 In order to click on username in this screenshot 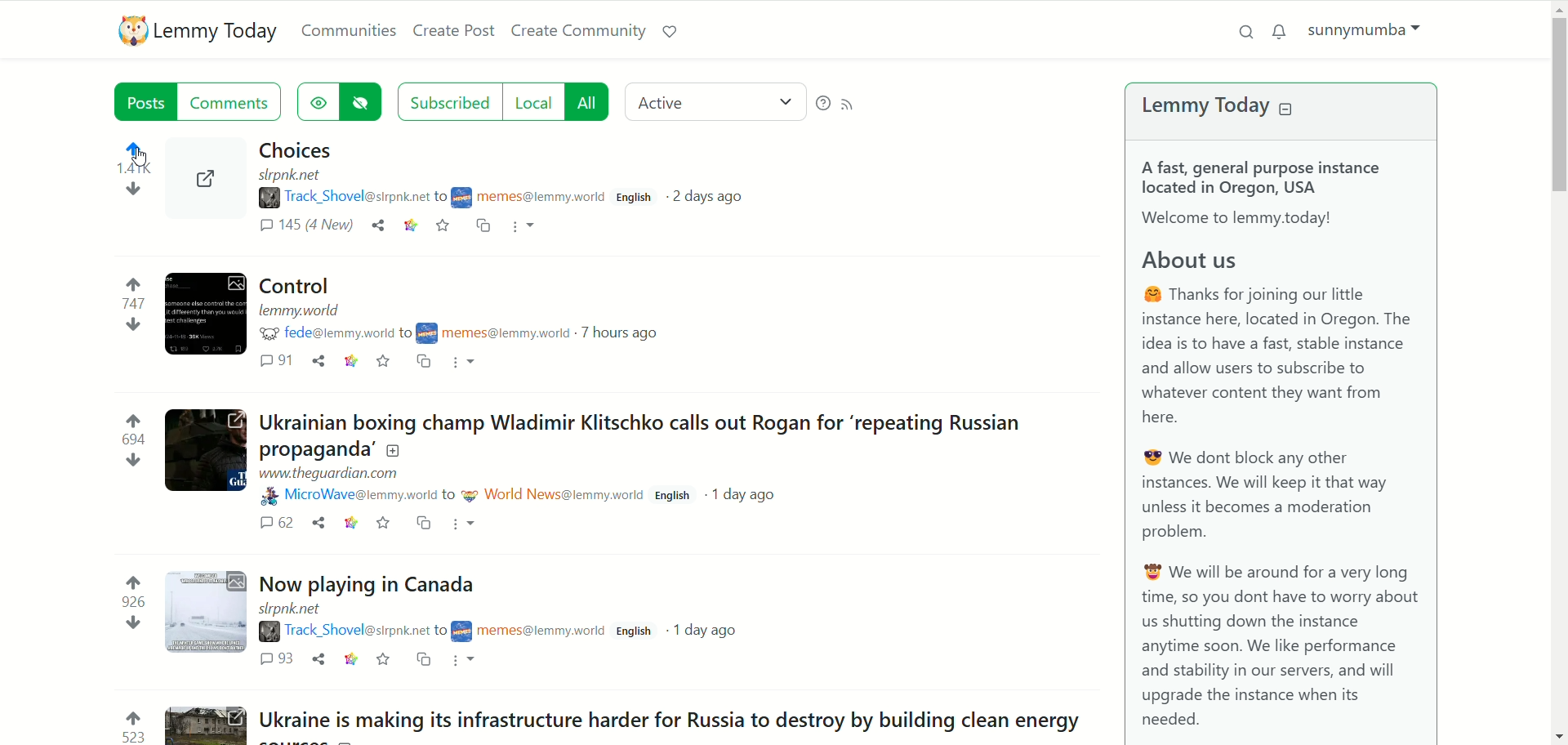, I will do `click(356, 631)`.